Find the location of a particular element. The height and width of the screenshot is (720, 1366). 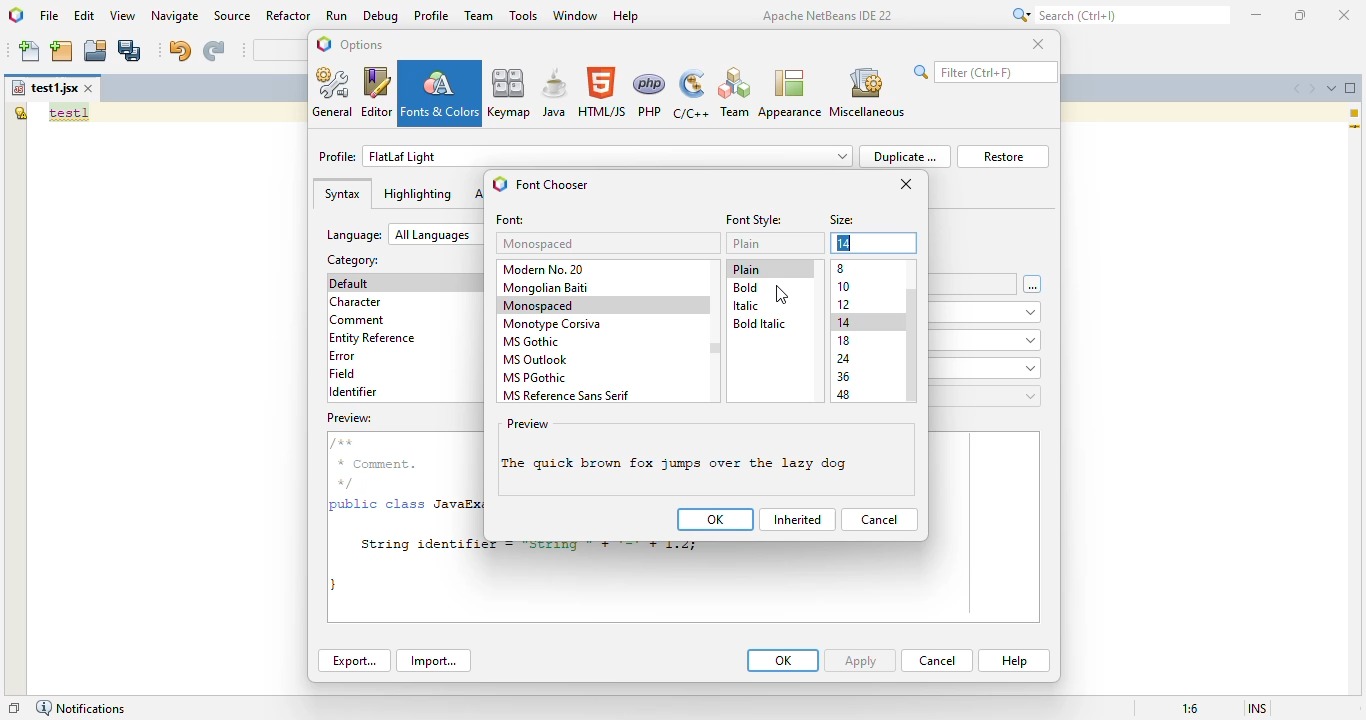

24 is located at coordinates (844, 359).